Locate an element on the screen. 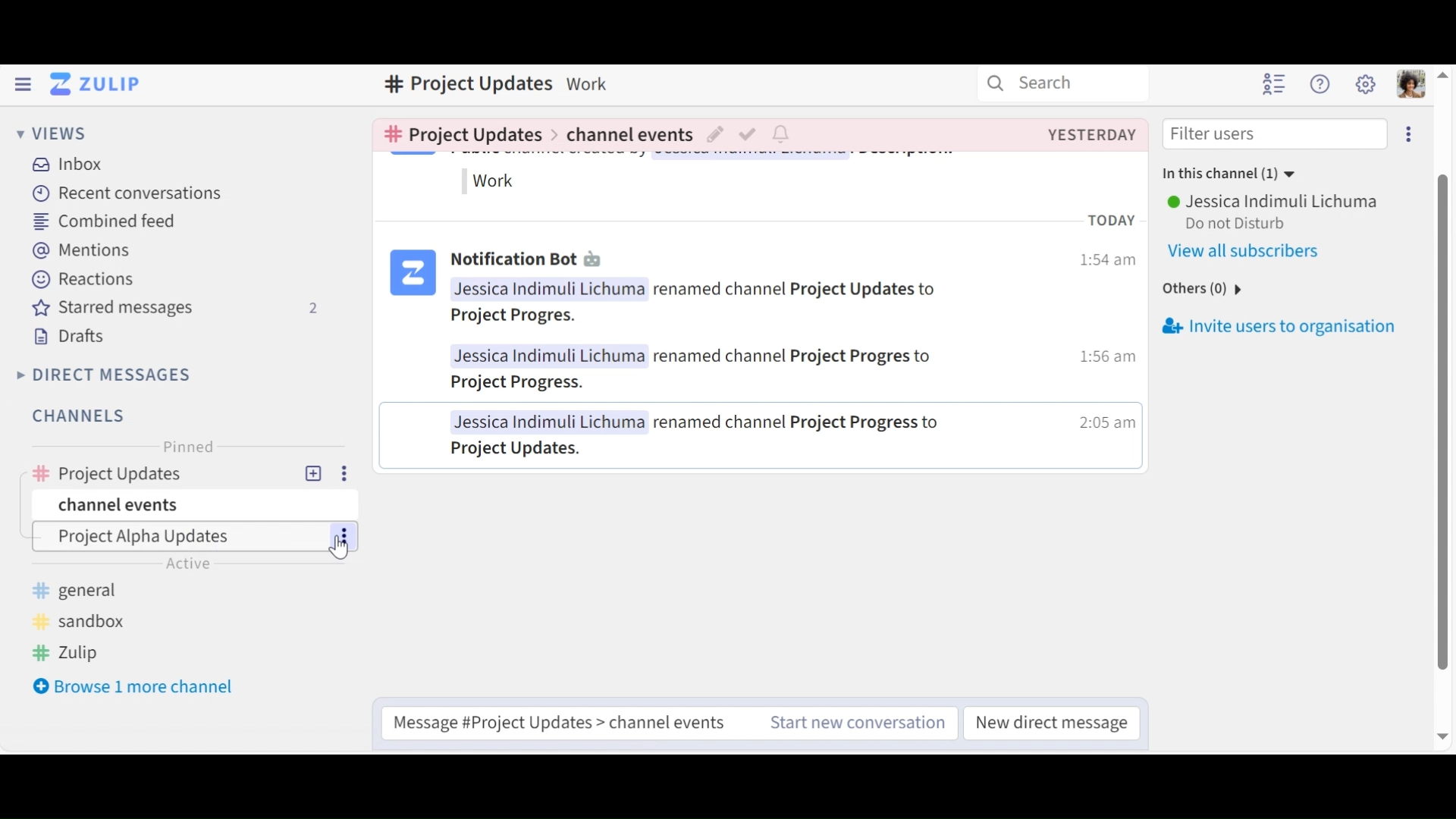 This screenshot has height=819, width=1456. User is located at coordinates (1272, 203).